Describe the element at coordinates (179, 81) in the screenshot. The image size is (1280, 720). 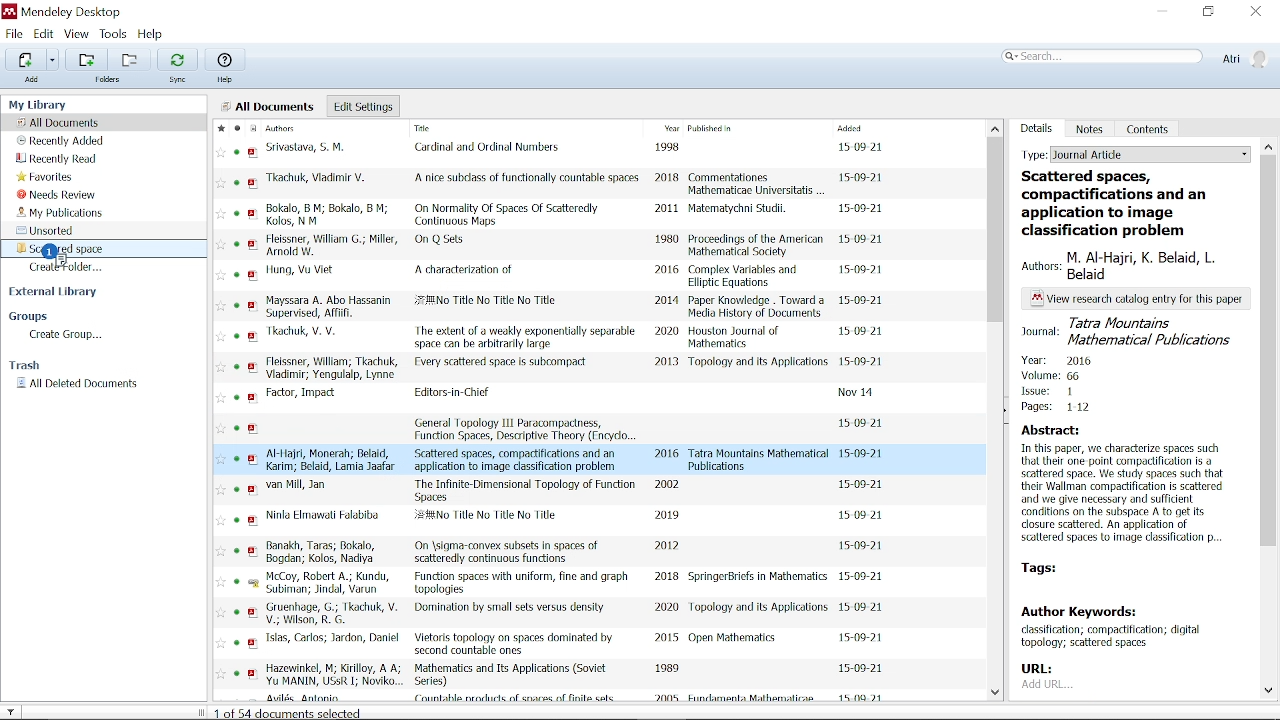
I see `sync` at that location.